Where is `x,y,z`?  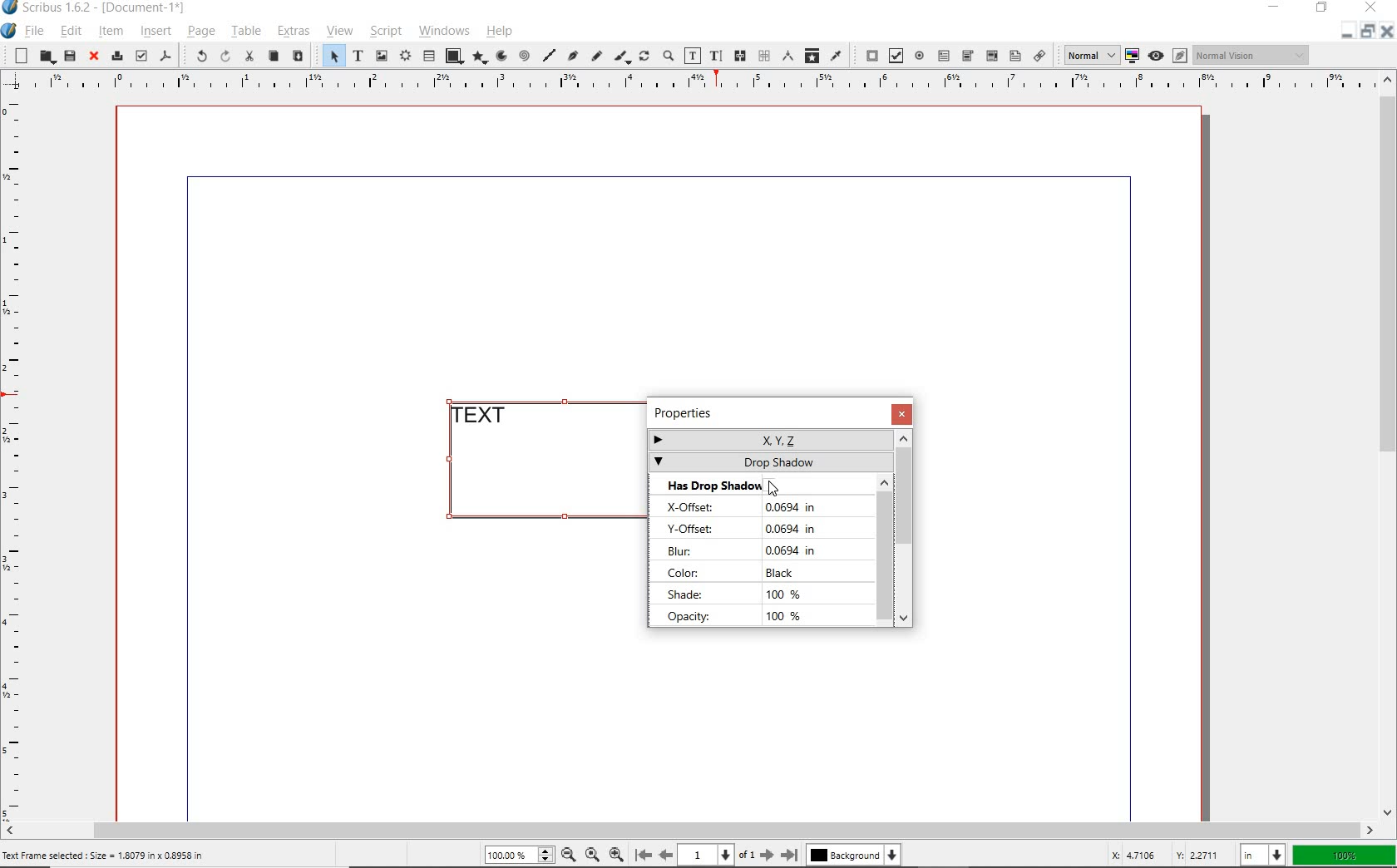
x,y,z is located at coordinates (768, 437).